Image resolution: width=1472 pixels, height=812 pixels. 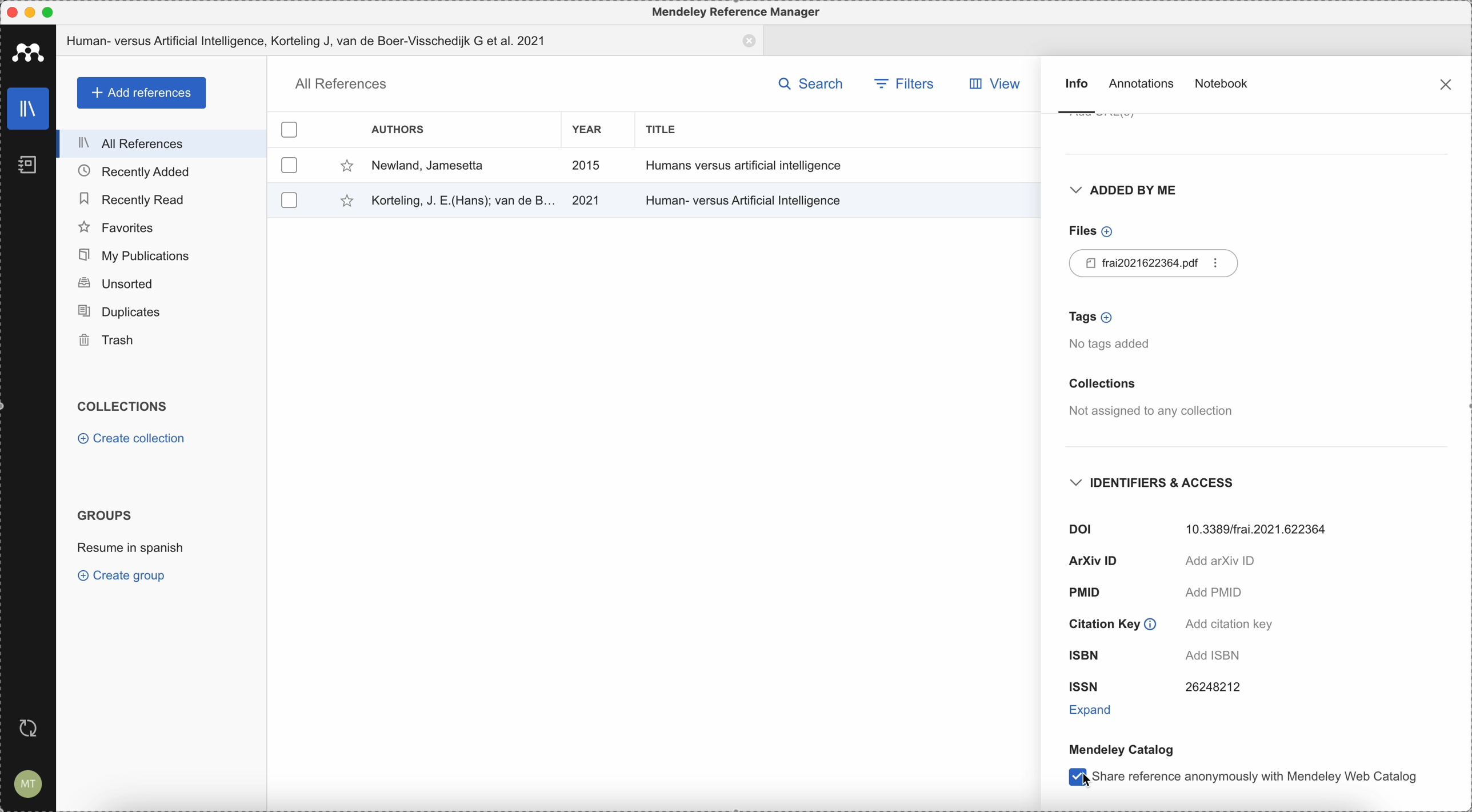 I want to click on create collection, so click(x=131, y=439).